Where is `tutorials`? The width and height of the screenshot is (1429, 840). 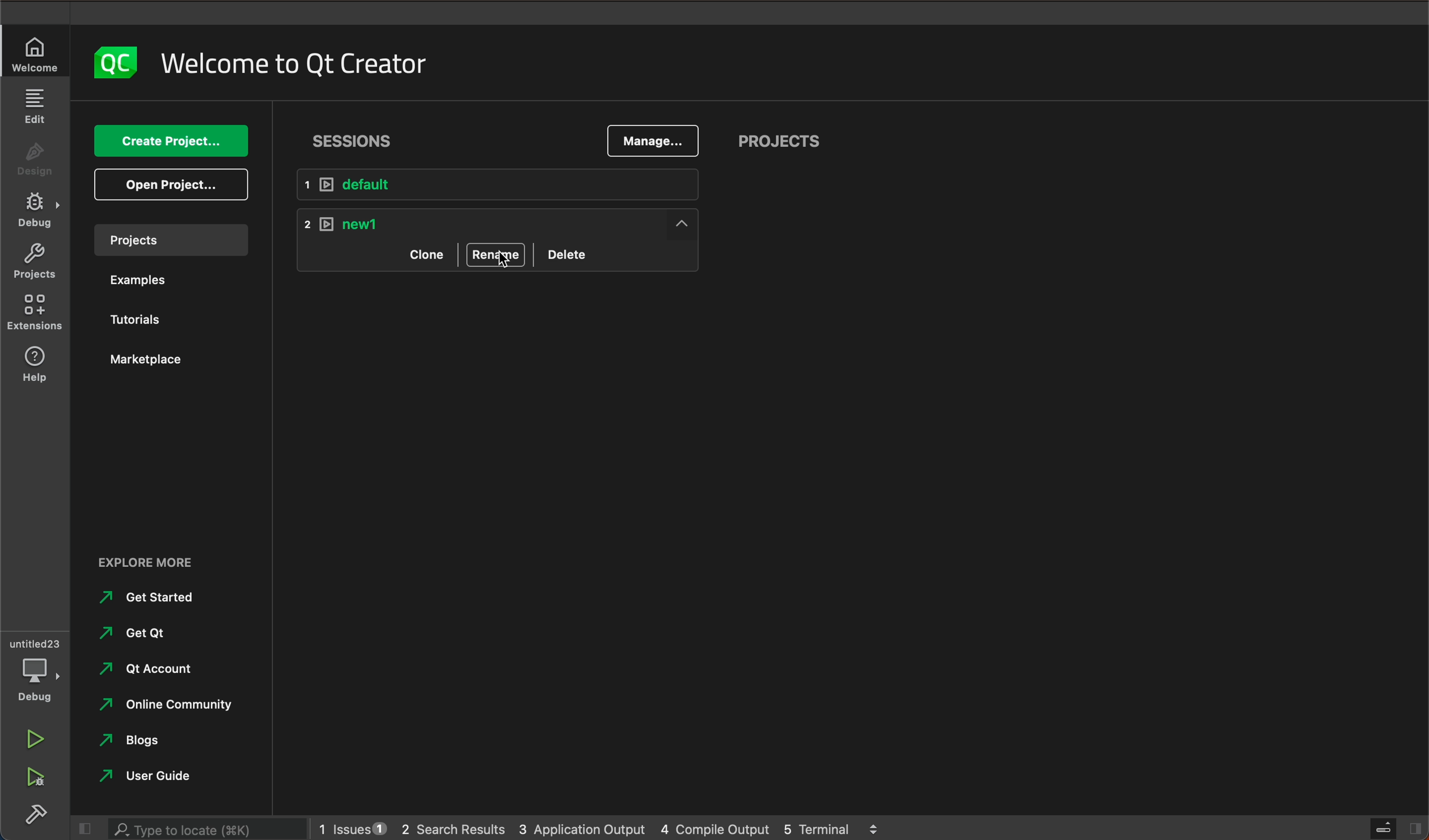
tutorials is located at coordinates (139, 318).